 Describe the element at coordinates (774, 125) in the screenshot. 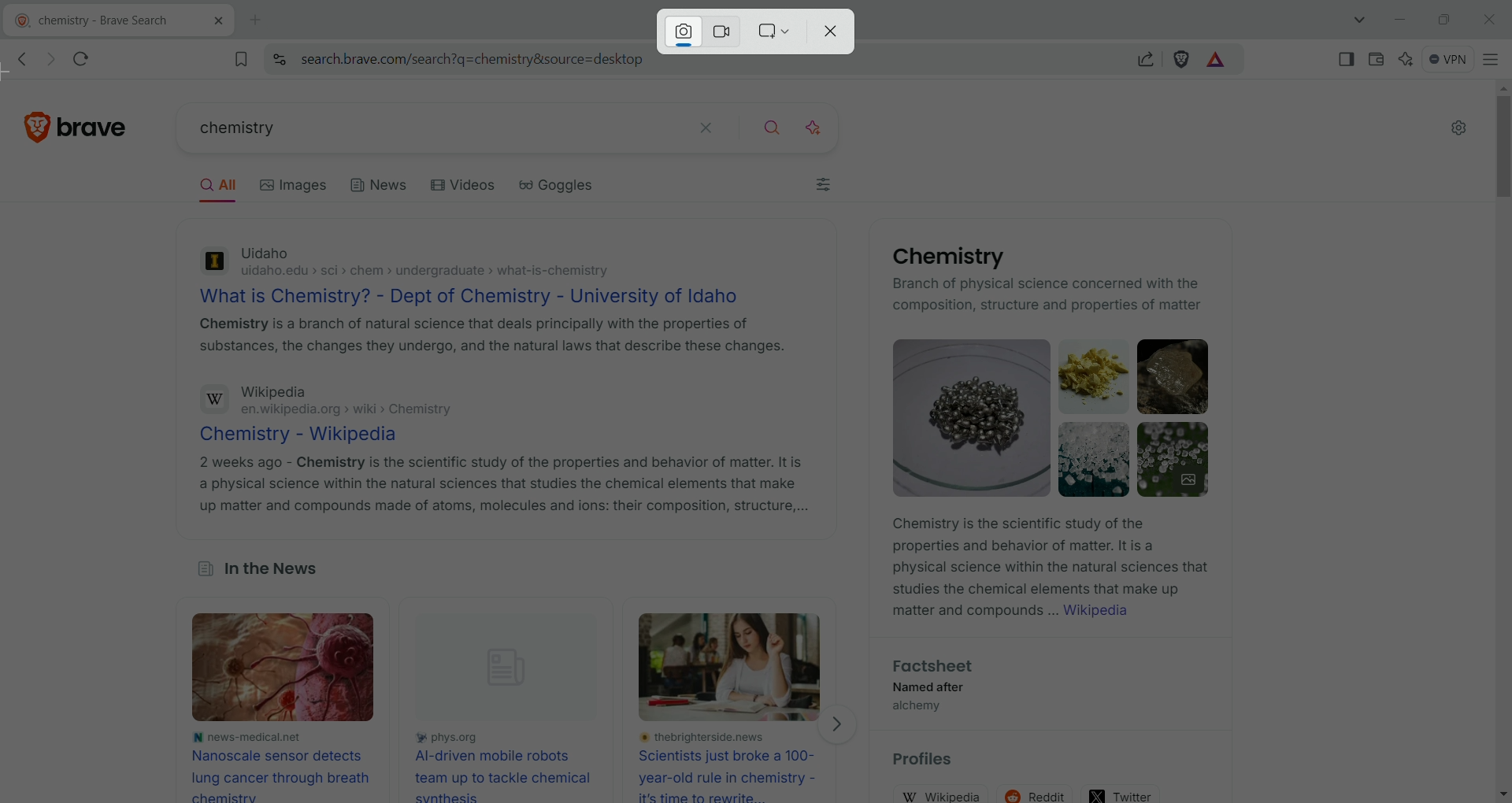

I see `search` at that location.